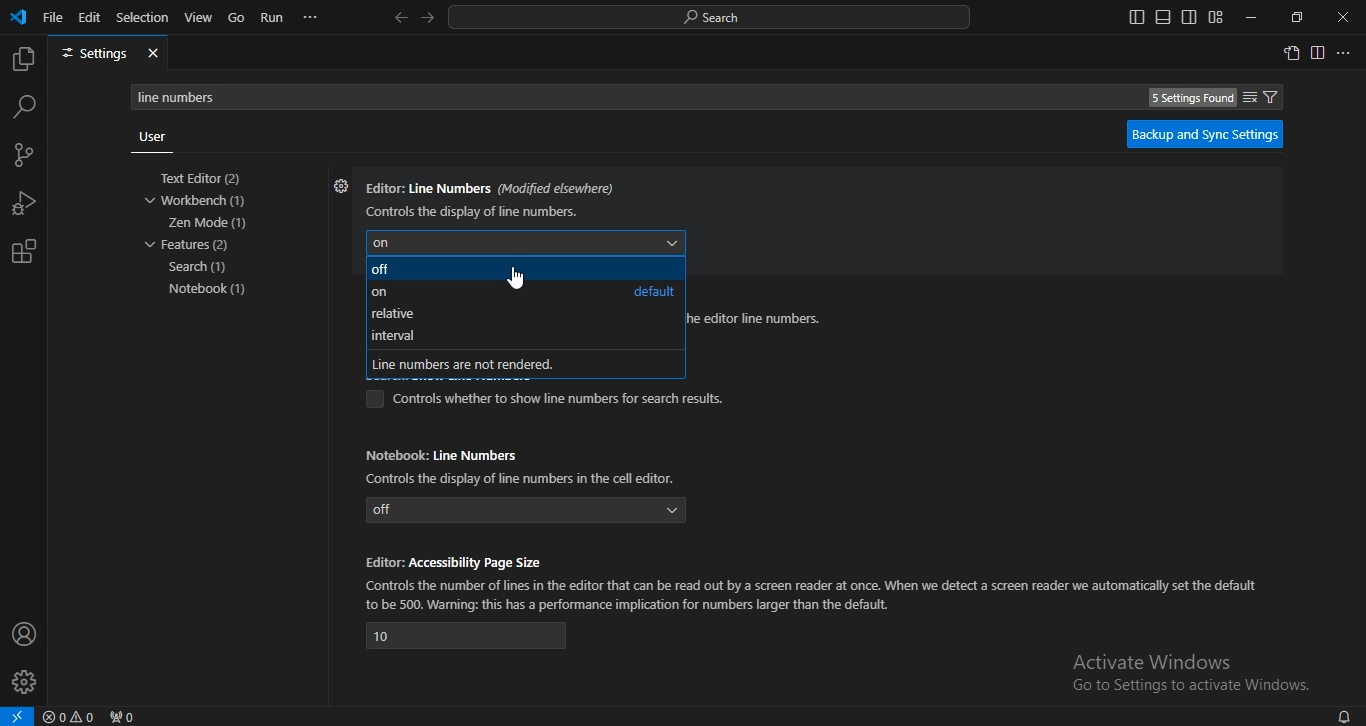  Describe the element at coordinates (715, 18) in the screenshot. I see `search desktop` at that location.